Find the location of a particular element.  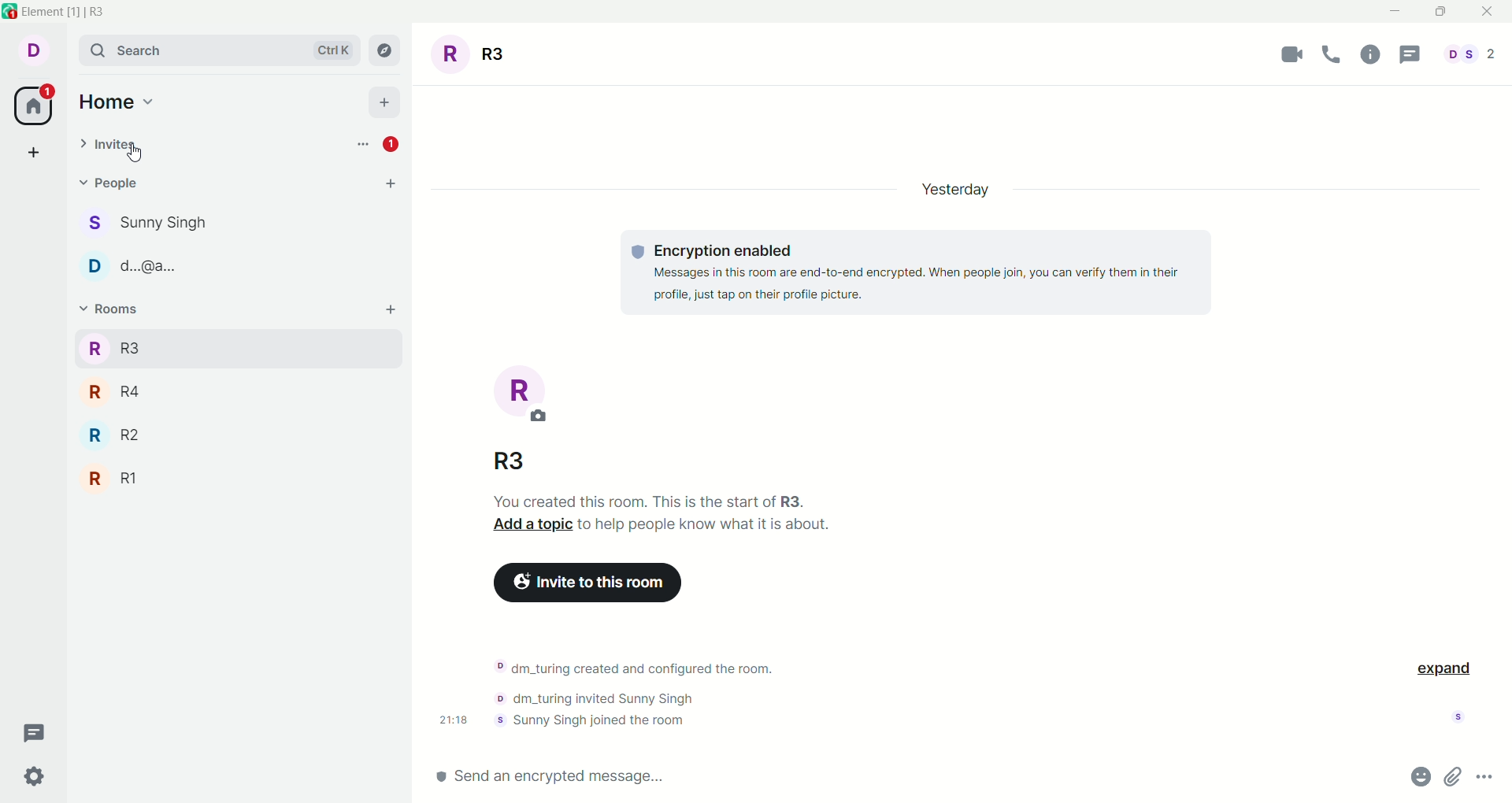

emoji is located at coordinates (1410, 777).